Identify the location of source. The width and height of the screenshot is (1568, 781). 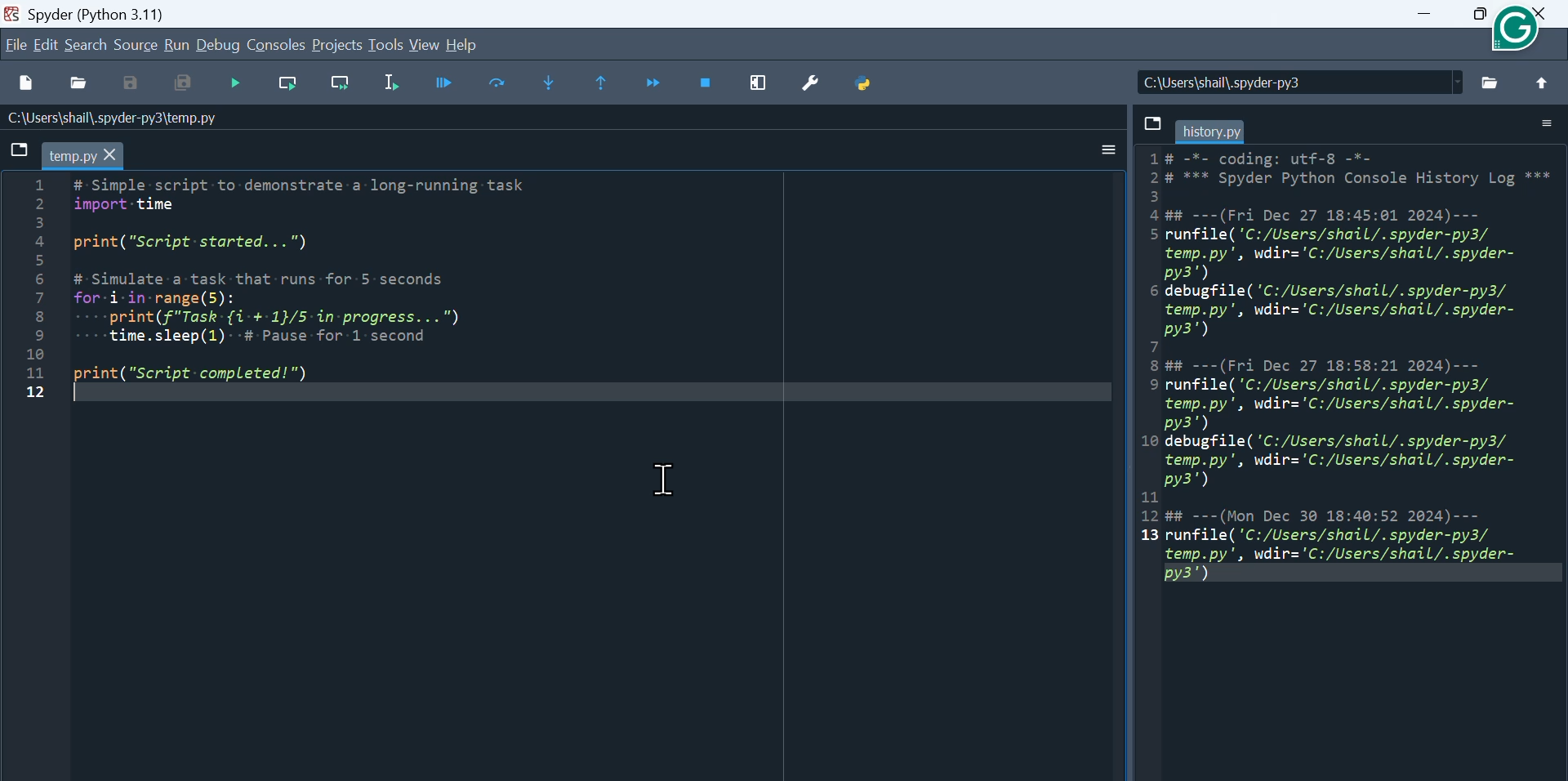
(138, 46).